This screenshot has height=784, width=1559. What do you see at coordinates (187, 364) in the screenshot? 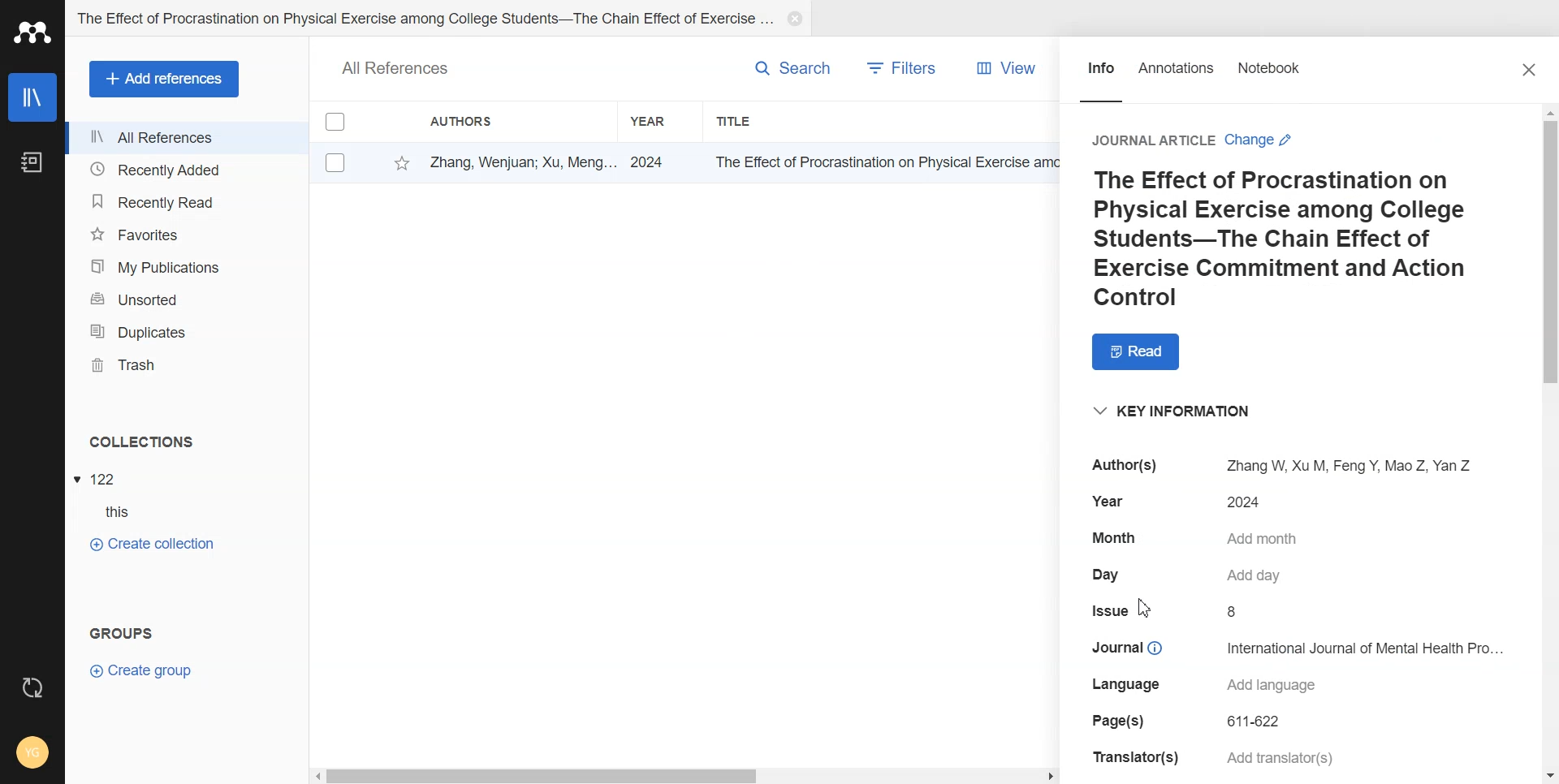
I see `Trash` at bounding box center [187, 364].